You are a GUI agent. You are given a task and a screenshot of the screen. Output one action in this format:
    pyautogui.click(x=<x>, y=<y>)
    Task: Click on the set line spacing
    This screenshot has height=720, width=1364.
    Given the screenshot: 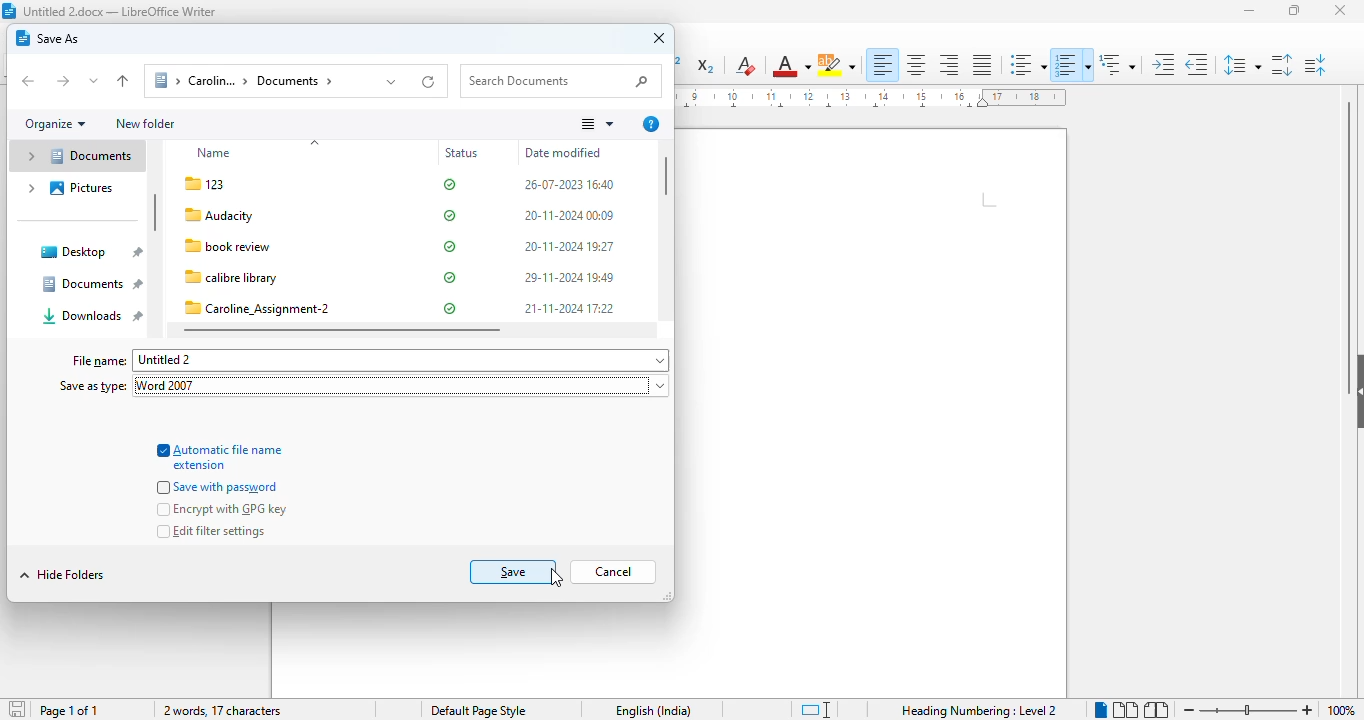 What is the action you would take?
    pyautogui.click(x=1242, y=64)
    